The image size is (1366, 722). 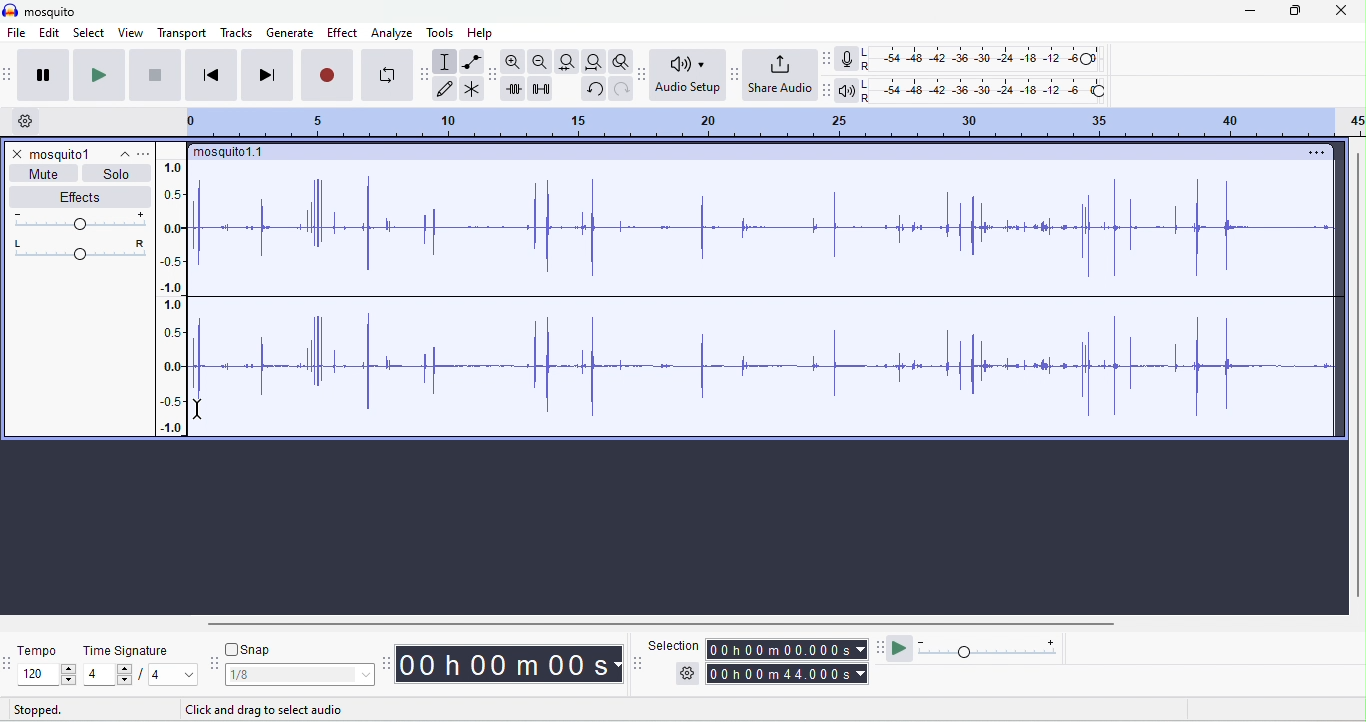 What do you see at coordinates (78, 153) in the screenshot?
I see `track1` at bounding box center [78, 153].